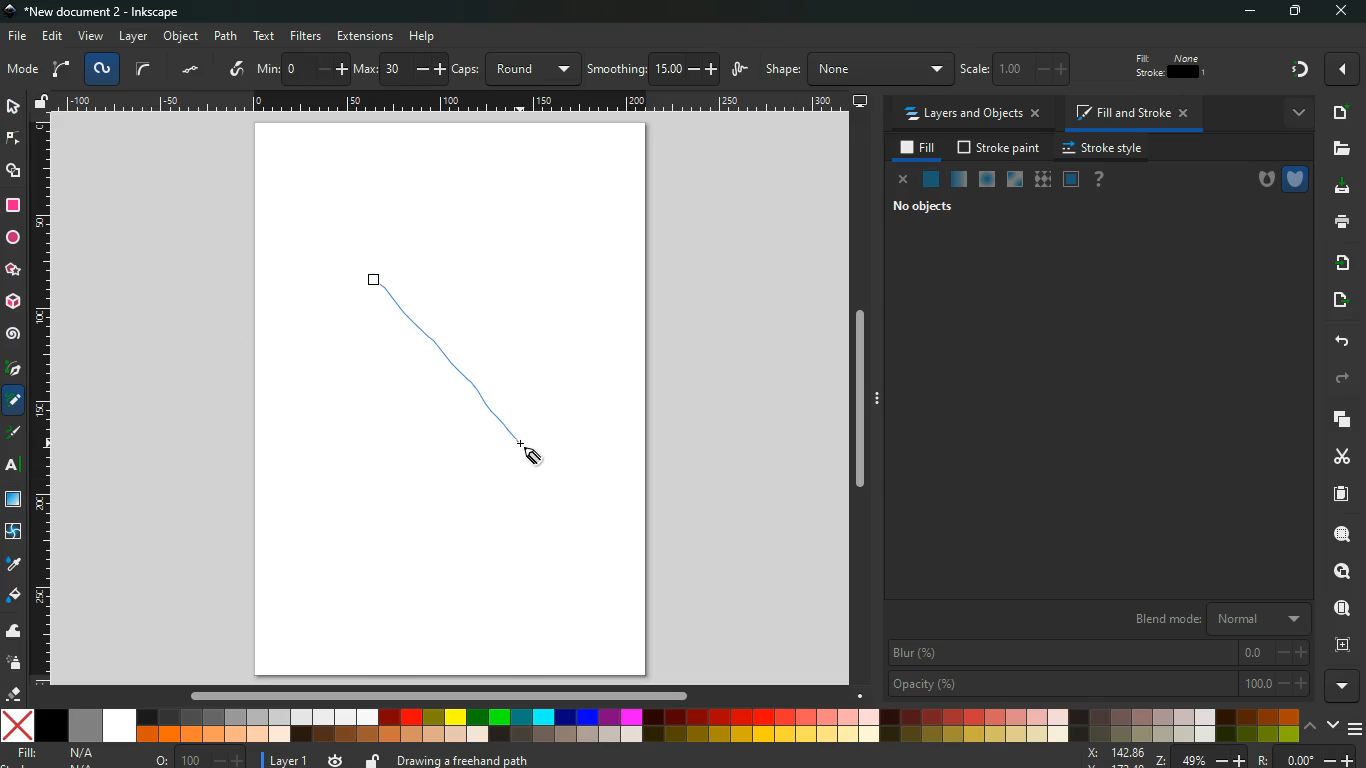  What do you see at coordinates (13, 141) in the screenshot?
I see `edge` at bounding box center [13, 141].